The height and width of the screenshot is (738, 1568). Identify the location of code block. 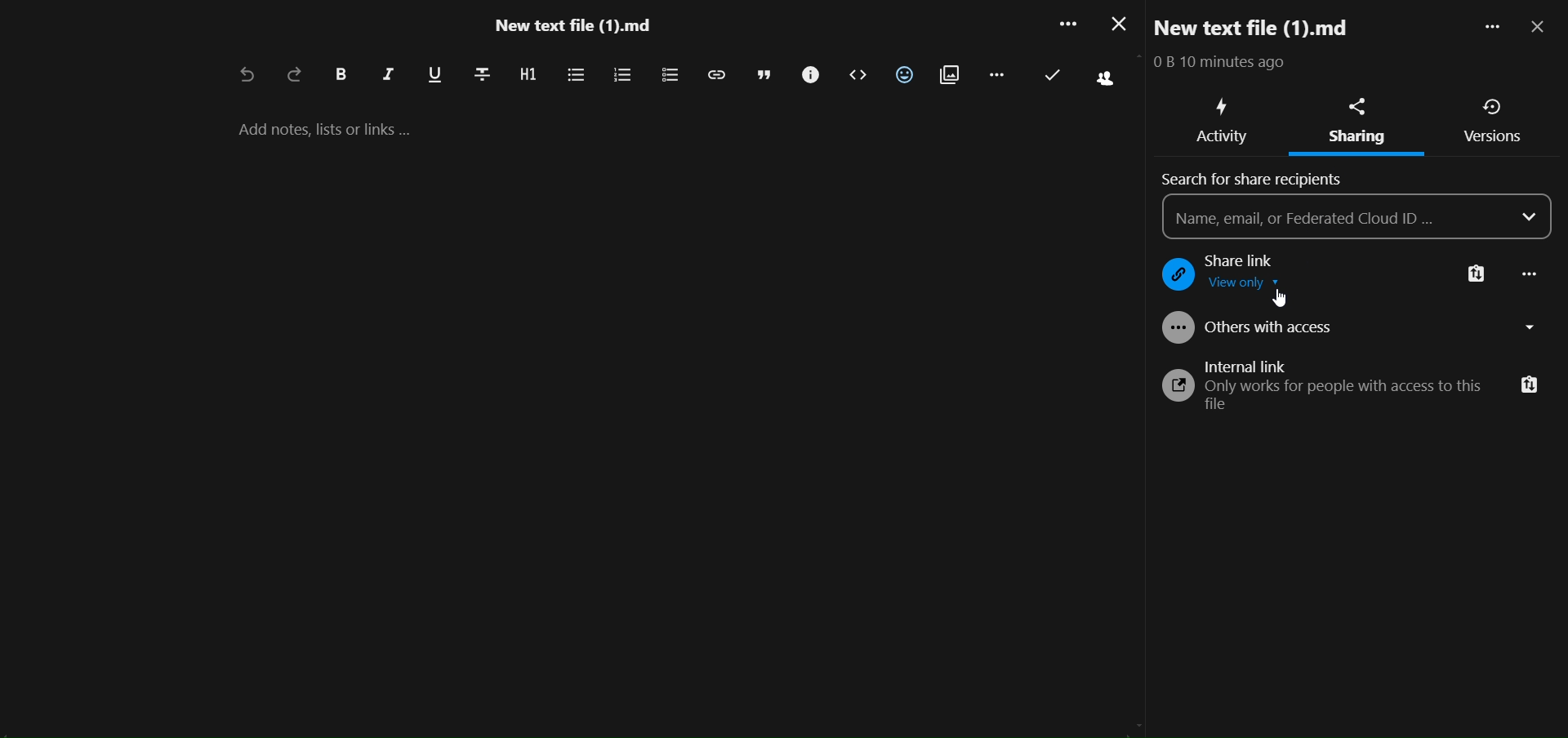
(858, 76).